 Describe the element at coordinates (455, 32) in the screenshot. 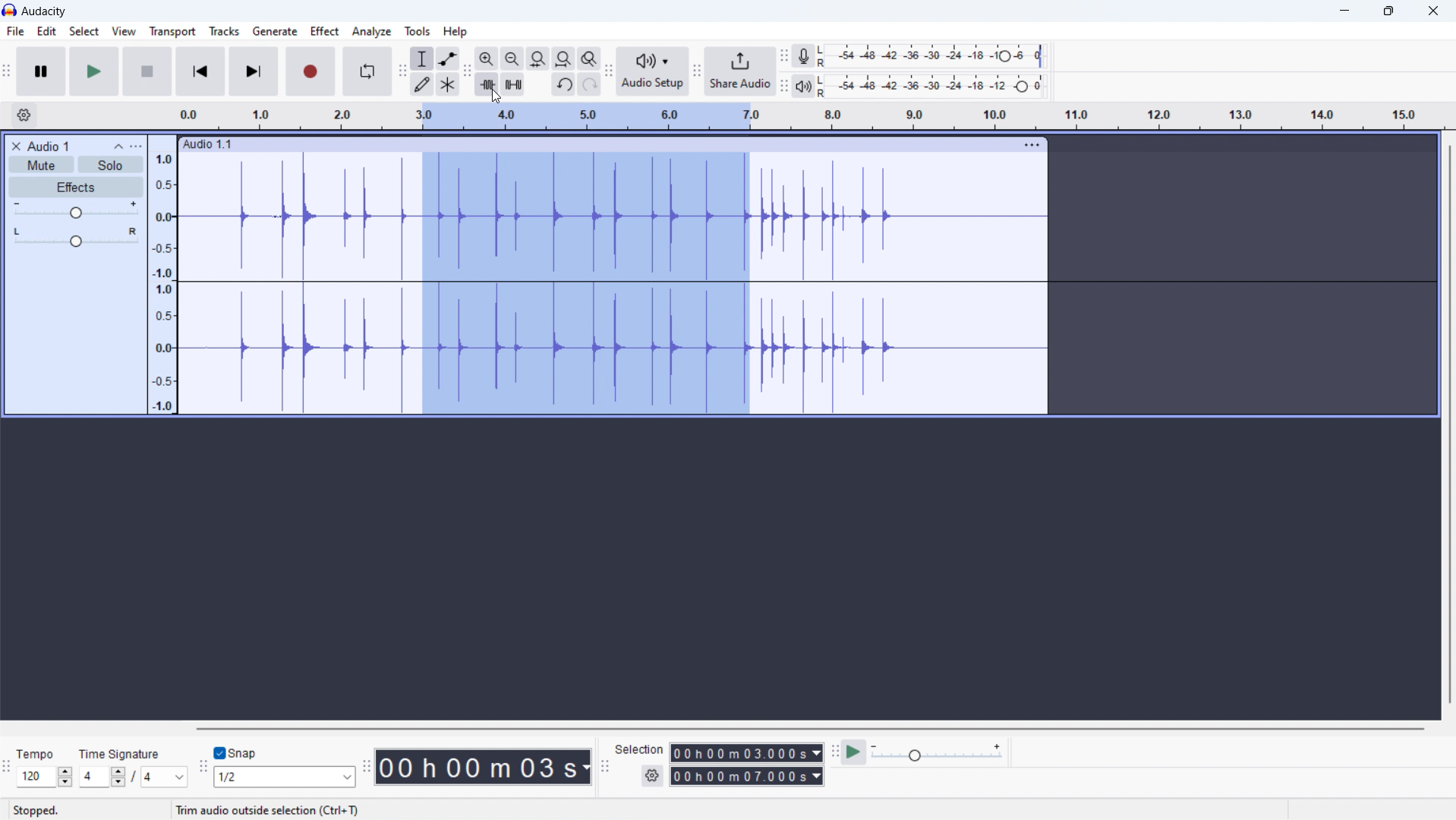

I see `help` at that location.